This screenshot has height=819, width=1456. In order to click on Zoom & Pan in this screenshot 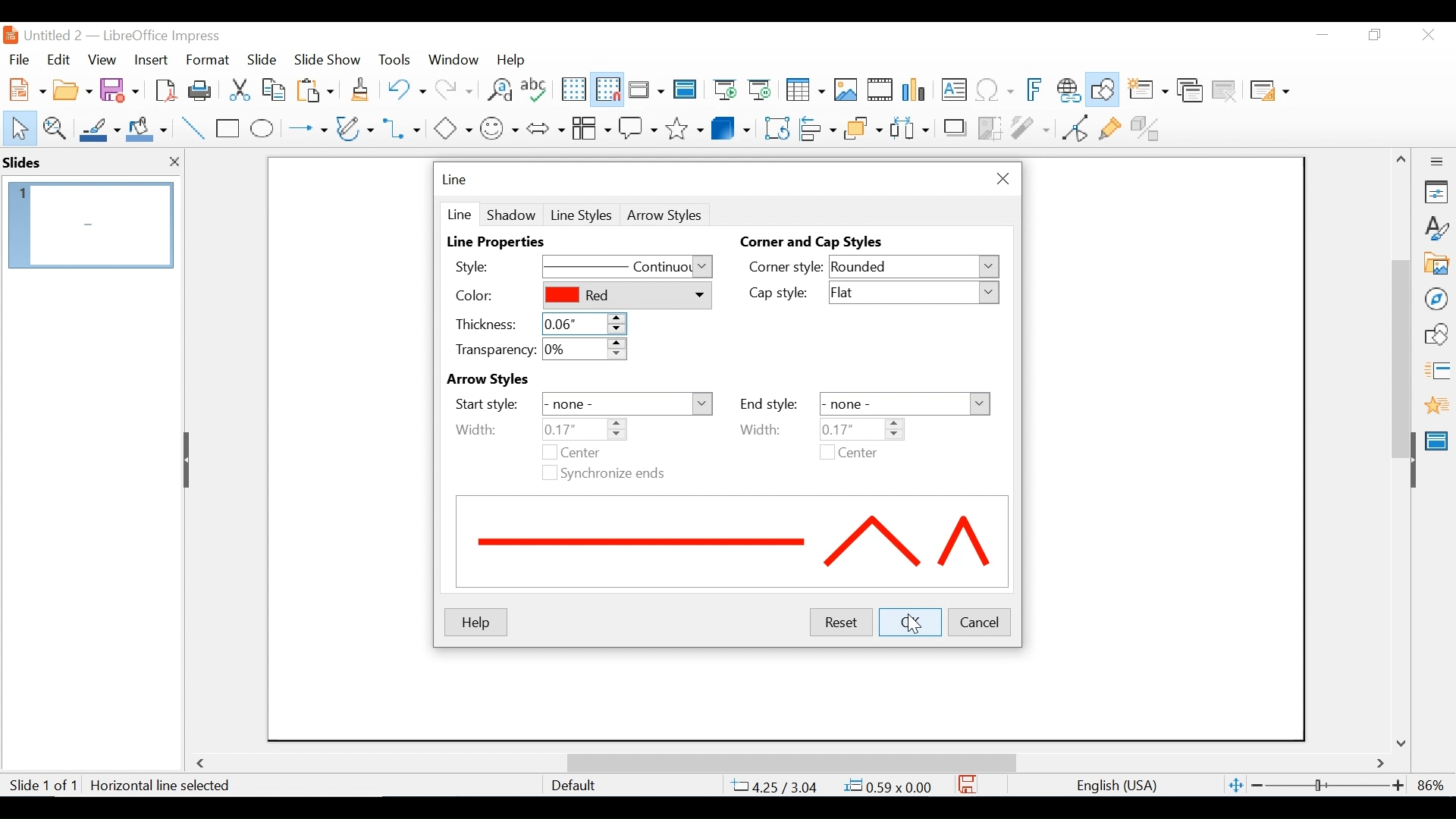, I will do `click(54, 127)`.